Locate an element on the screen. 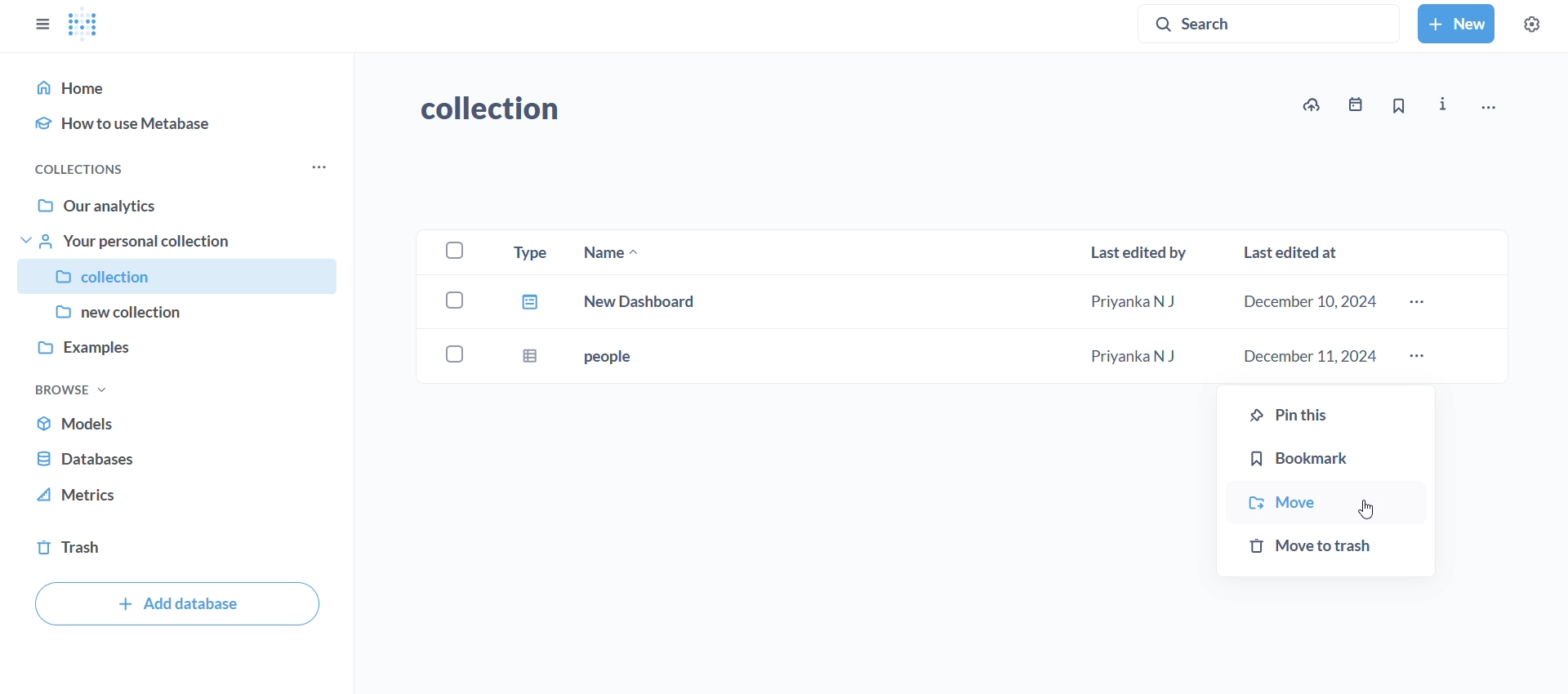 The height and width of the screenshot is (694, 1568). pin this is located at coordinates (1325, 410).